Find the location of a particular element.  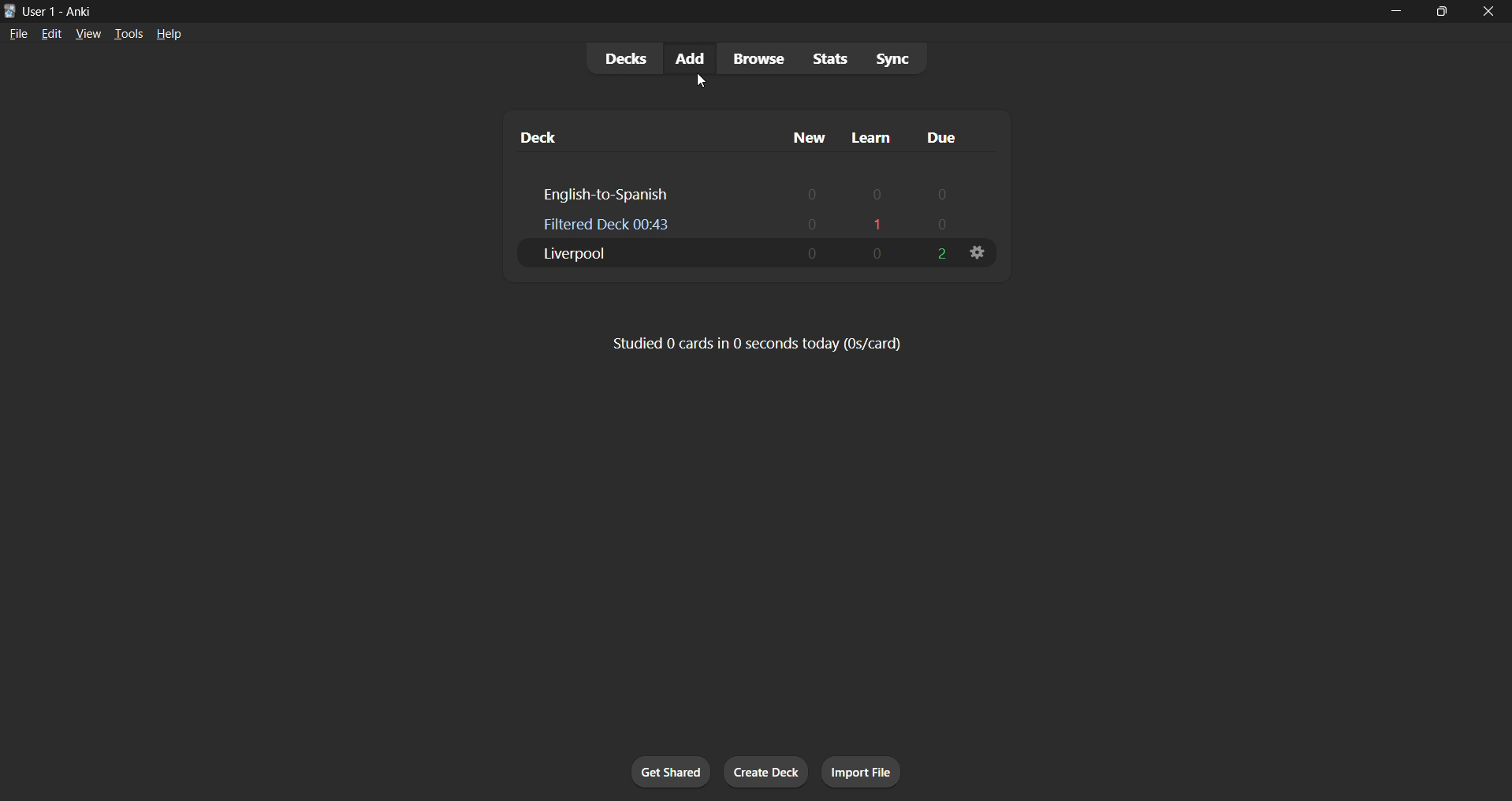

card stats is located at coordinates (757, 343).